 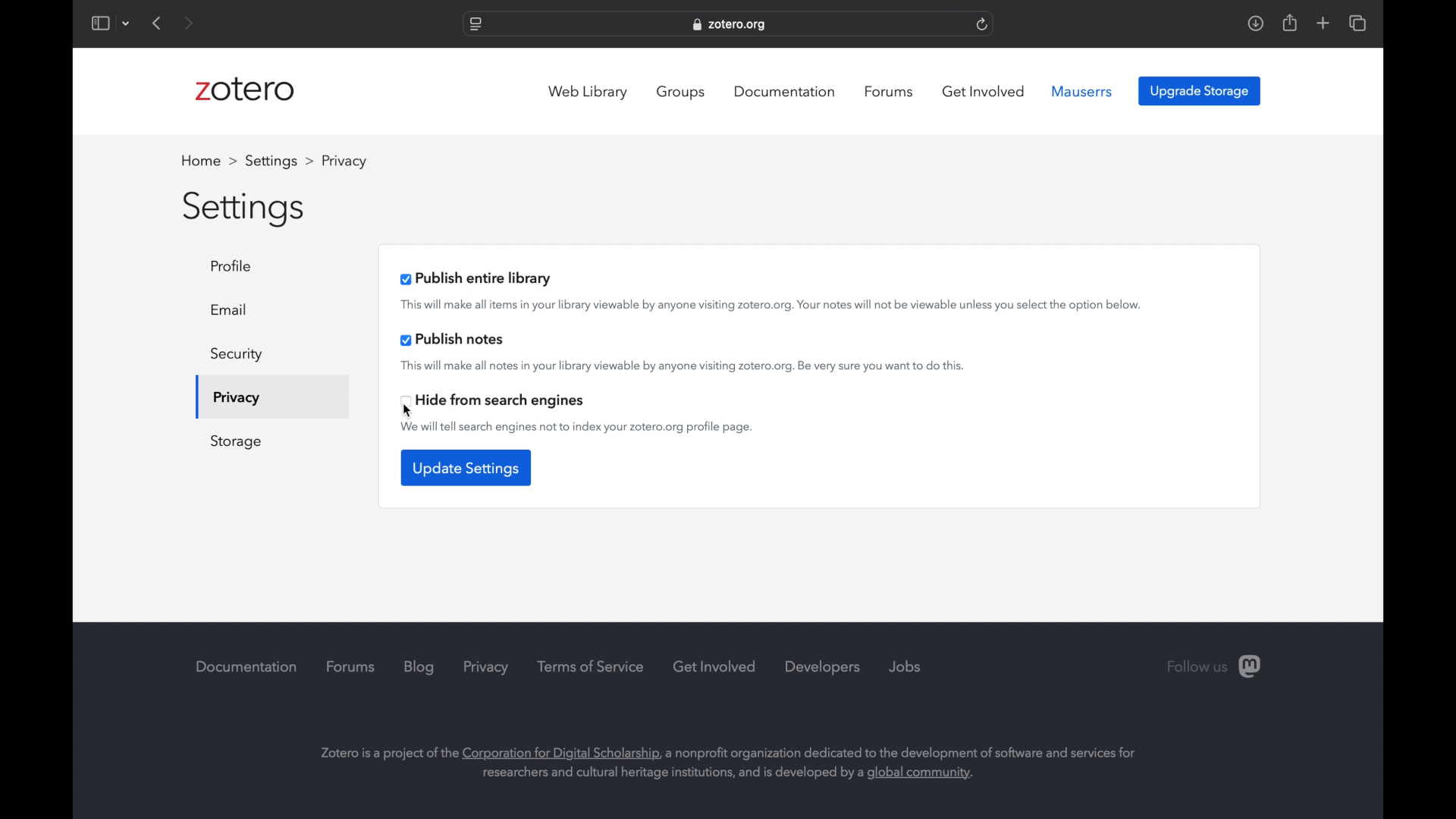 What do you see at coordinates (1323, 23) in the screenshot?
I see `new tab` at bounding box center [1323, 23].